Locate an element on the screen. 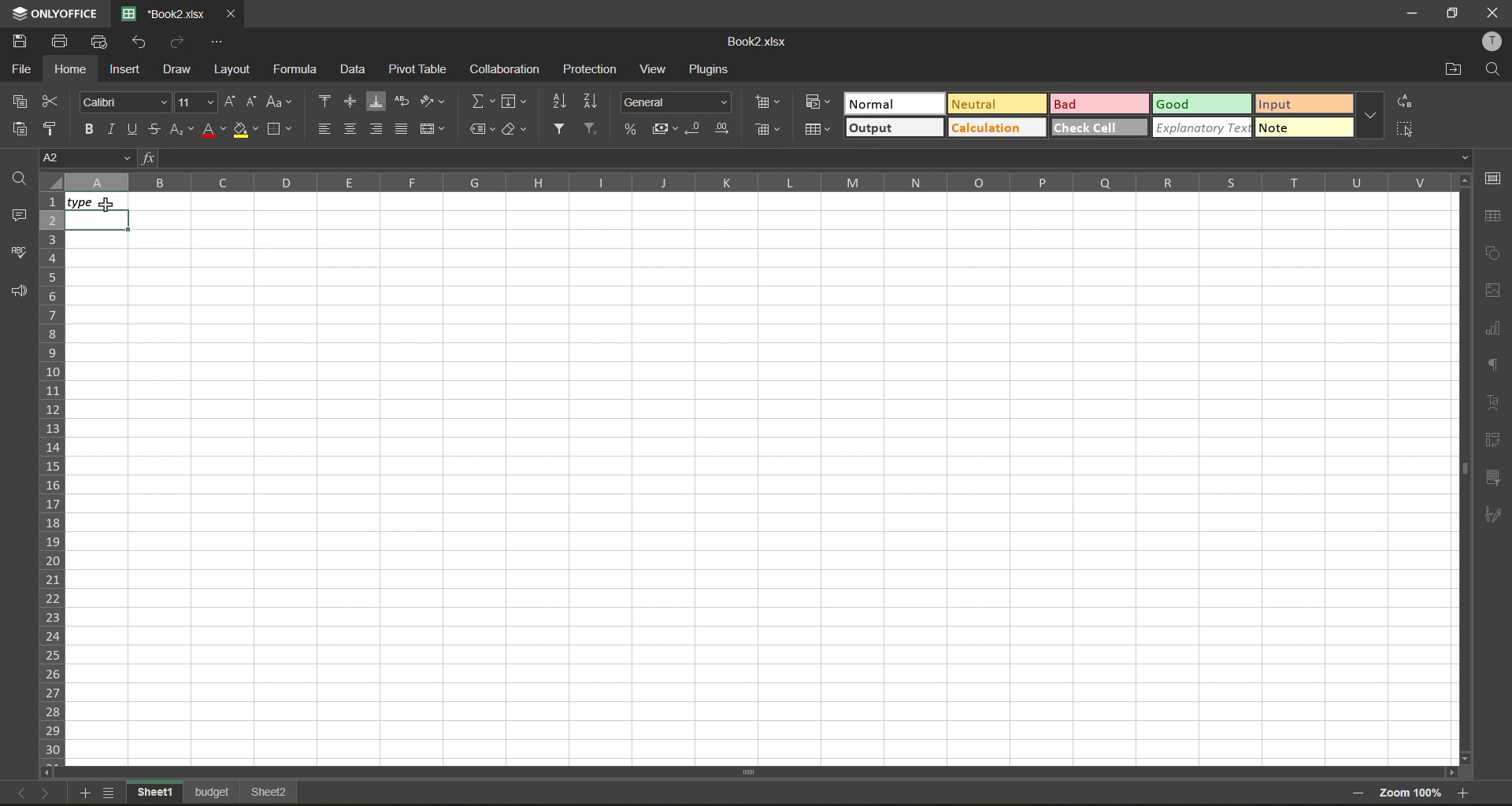  spellcheck is located at coordinates (20, 250).